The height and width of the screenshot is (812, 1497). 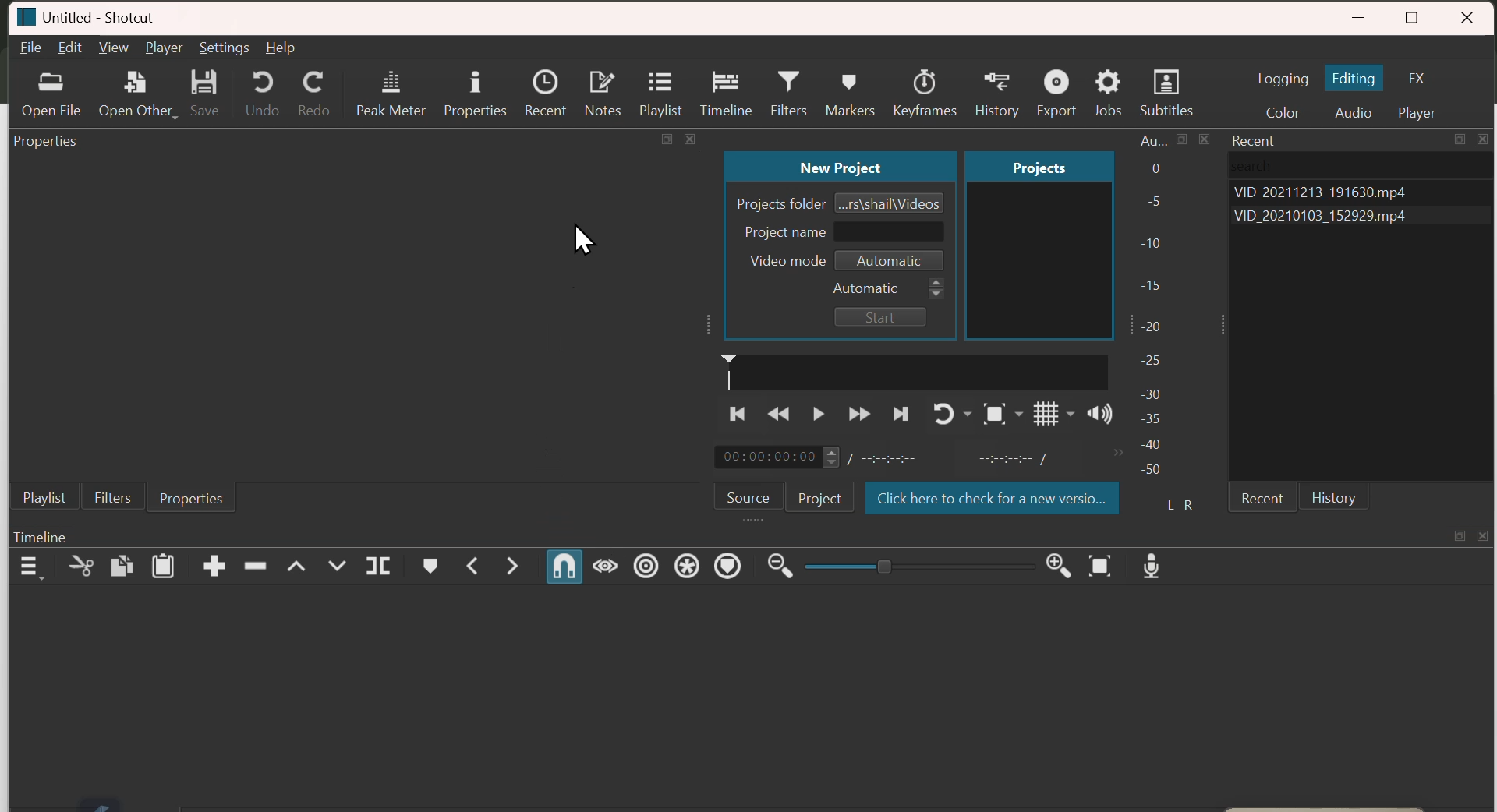 What do you see at coordinates (859, 412) in the screenshot?
I see `Forward` at bounding box center [859, 412].